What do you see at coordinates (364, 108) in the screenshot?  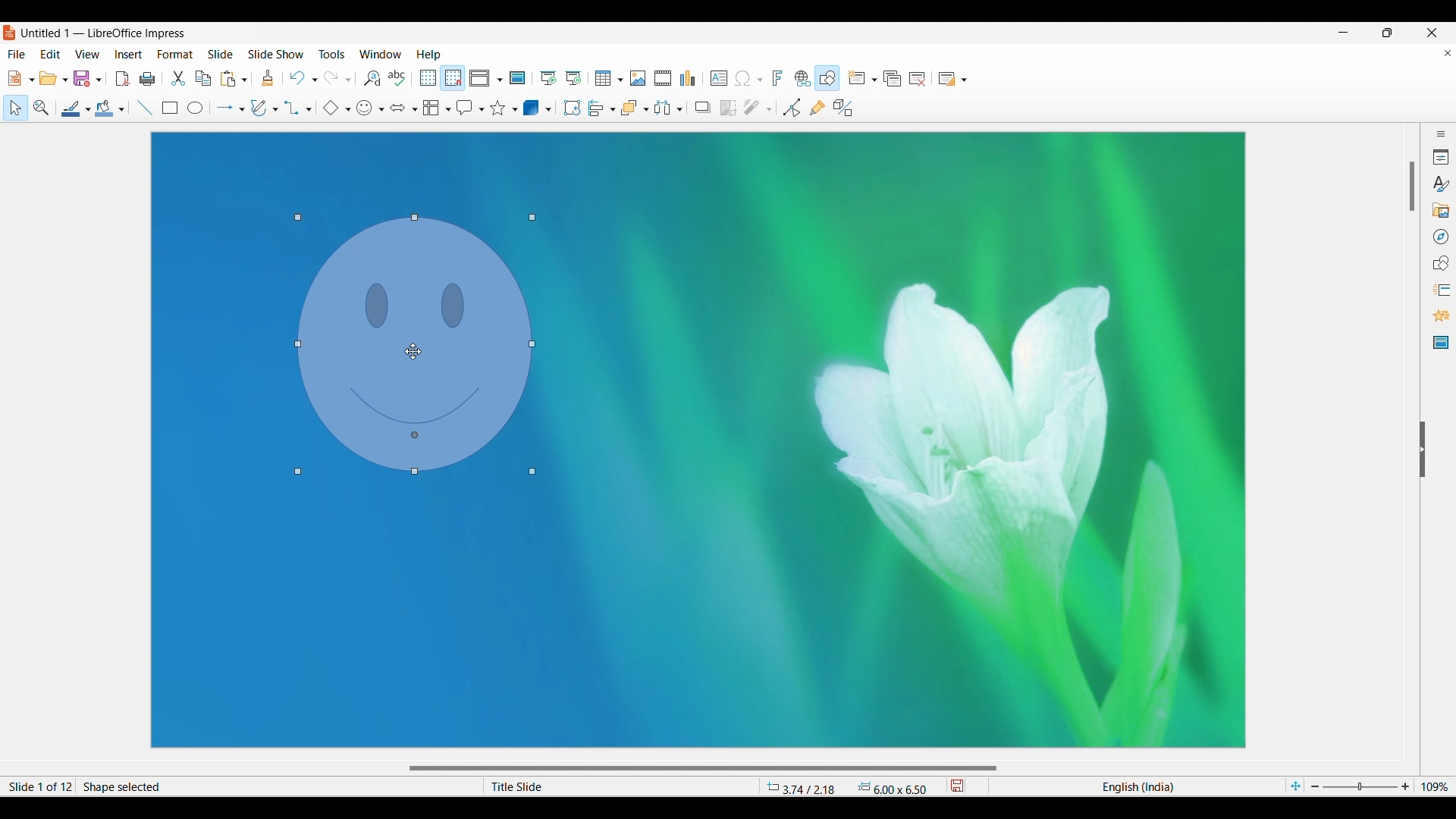 I see `Selected symbol` at bounding box center [364, 108].